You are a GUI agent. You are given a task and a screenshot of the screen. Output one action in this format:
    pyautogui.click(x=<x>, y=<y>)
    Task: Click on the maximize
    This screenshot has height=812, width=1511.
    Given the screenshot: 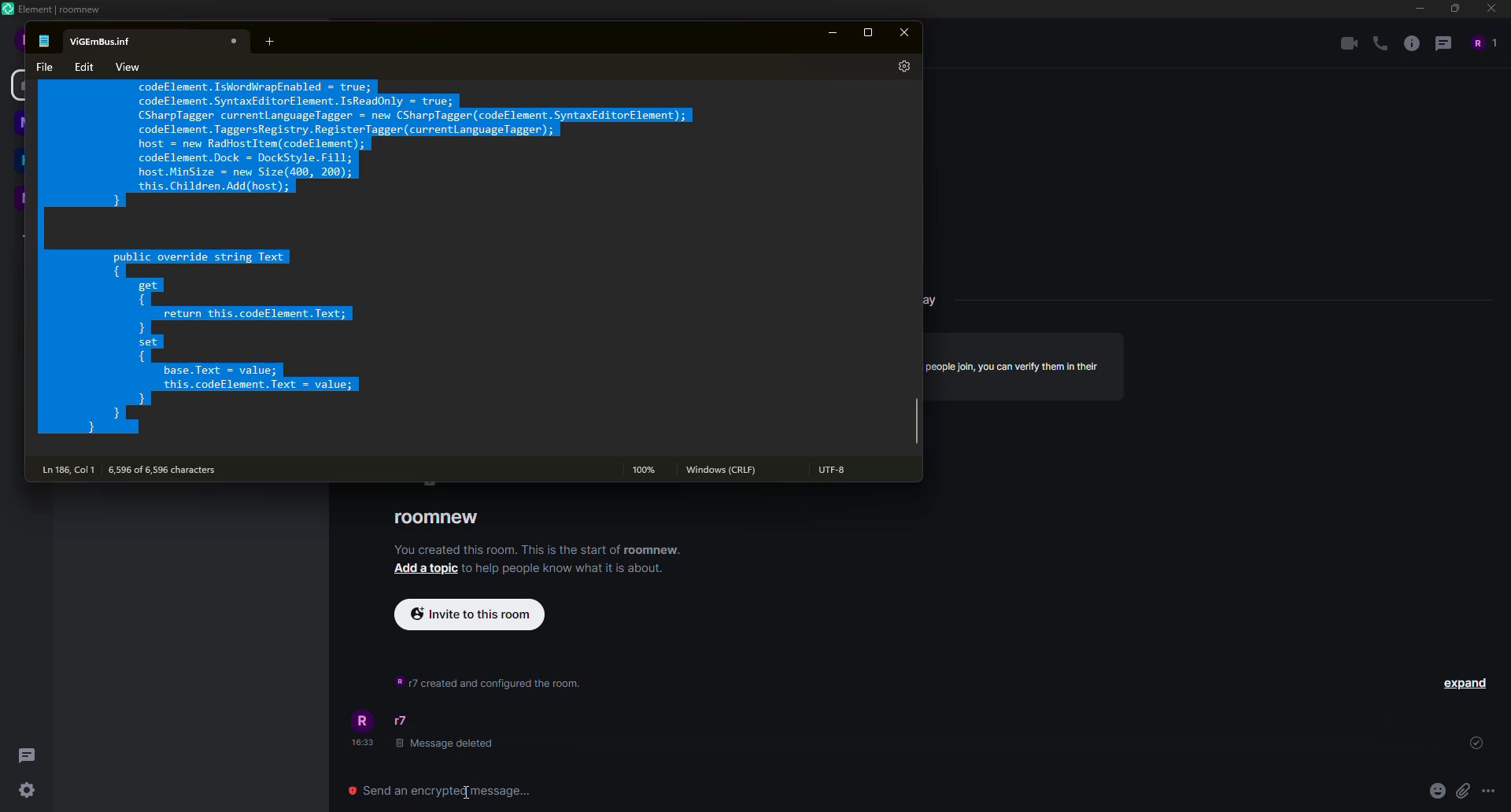 What is the action you would take?
    pyautogui.click(x=1453, y=9)
    